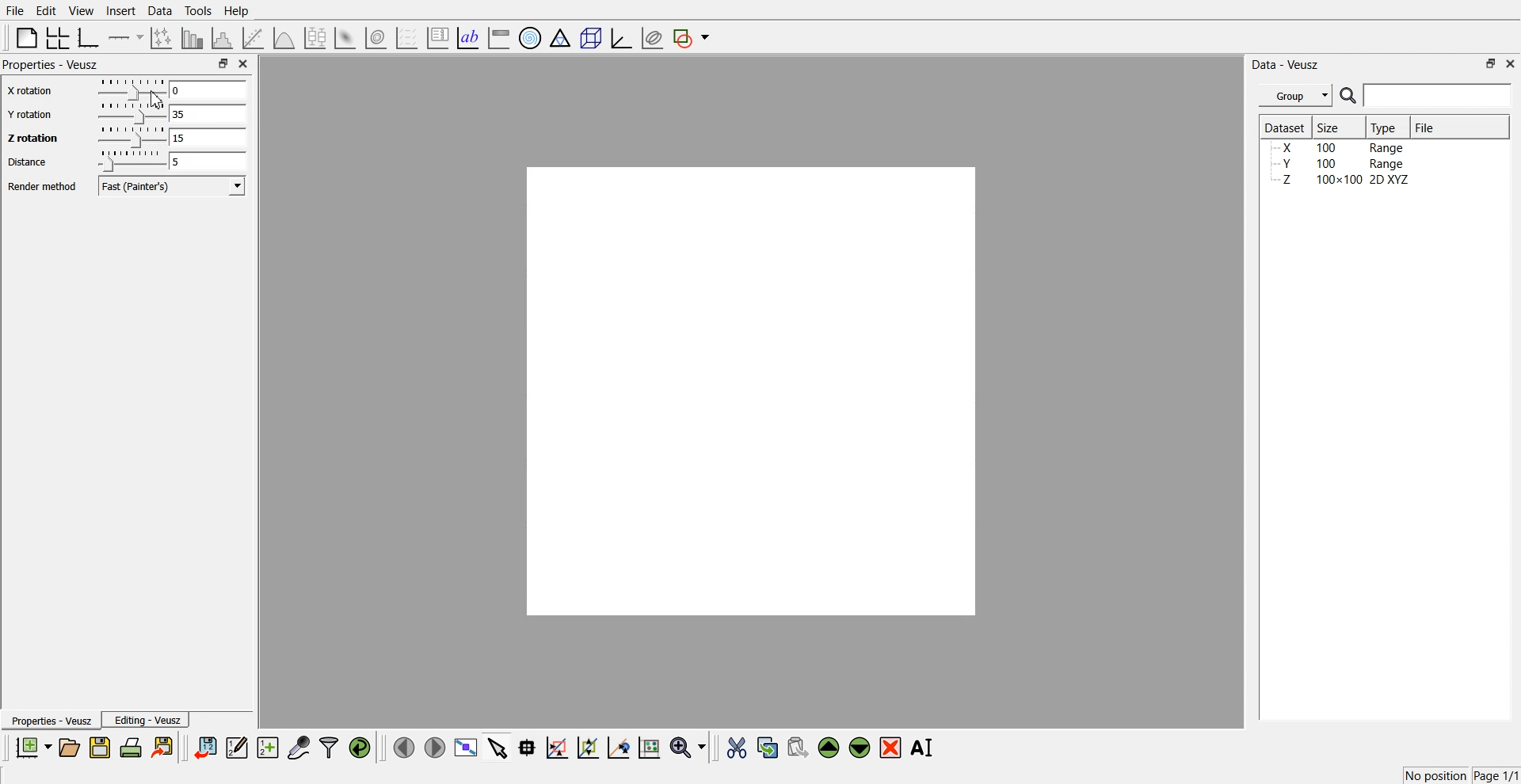  Describe the element at coordinates (1461, 775) in the screenshot. I see `No position Page 1/1` at that location.